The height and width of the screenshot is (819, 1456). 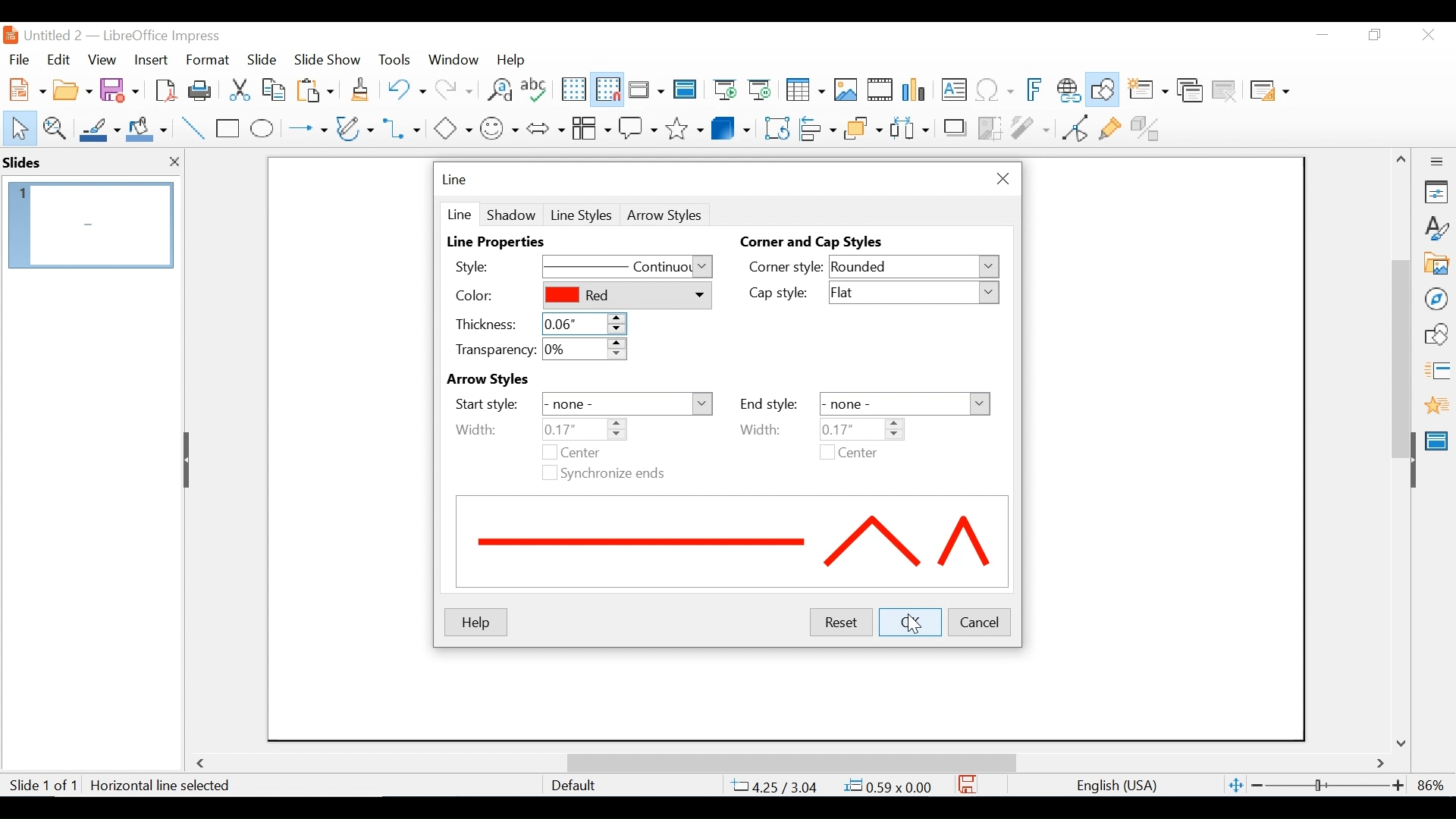 What do you see at coordinates (476, 429) in the screenshot?
I see `Width` at bounding box center [476, 429].